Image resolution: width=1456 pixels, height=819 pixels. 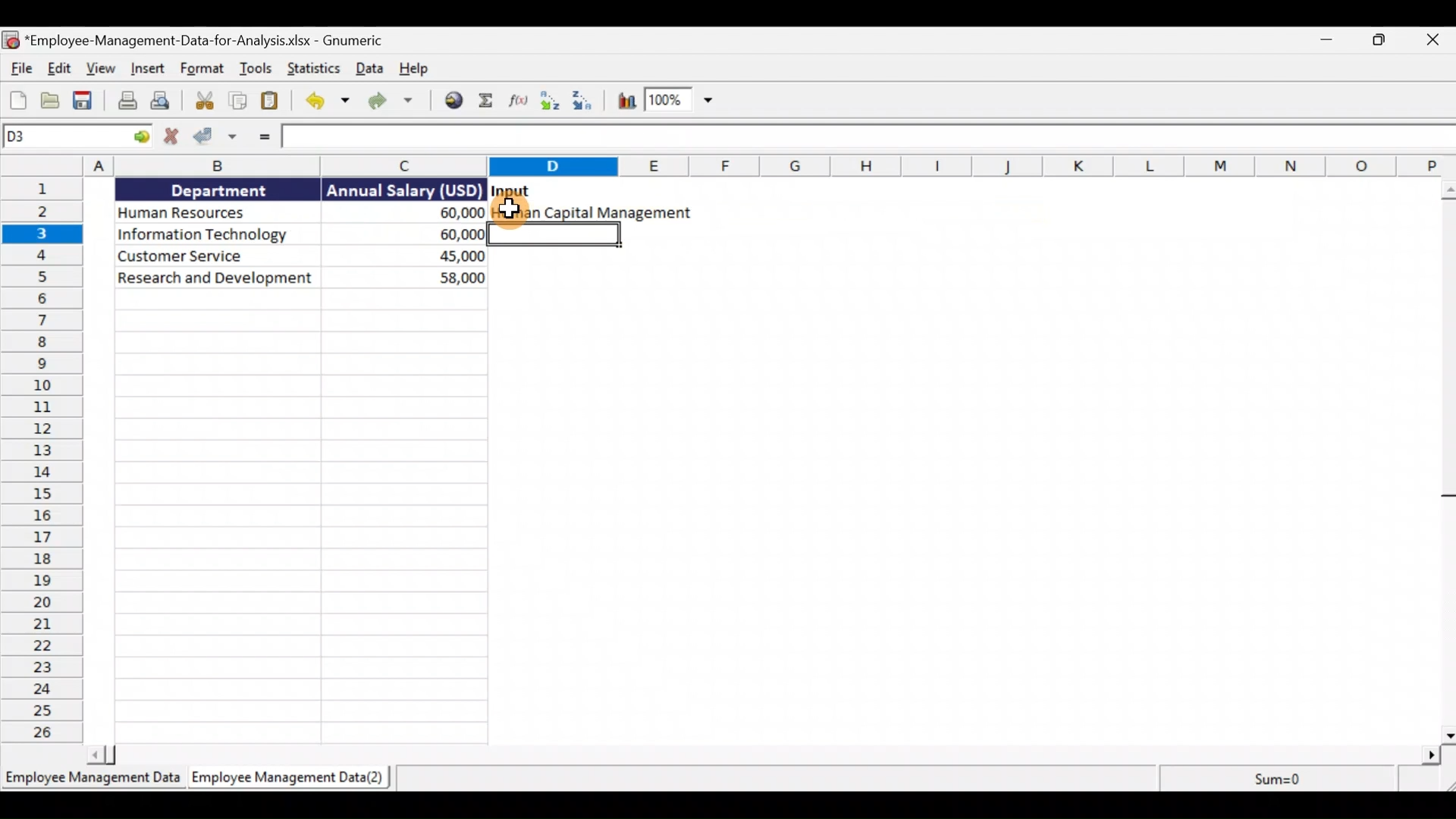 I want to click on Sort Descending, so click(x=585, y=101).